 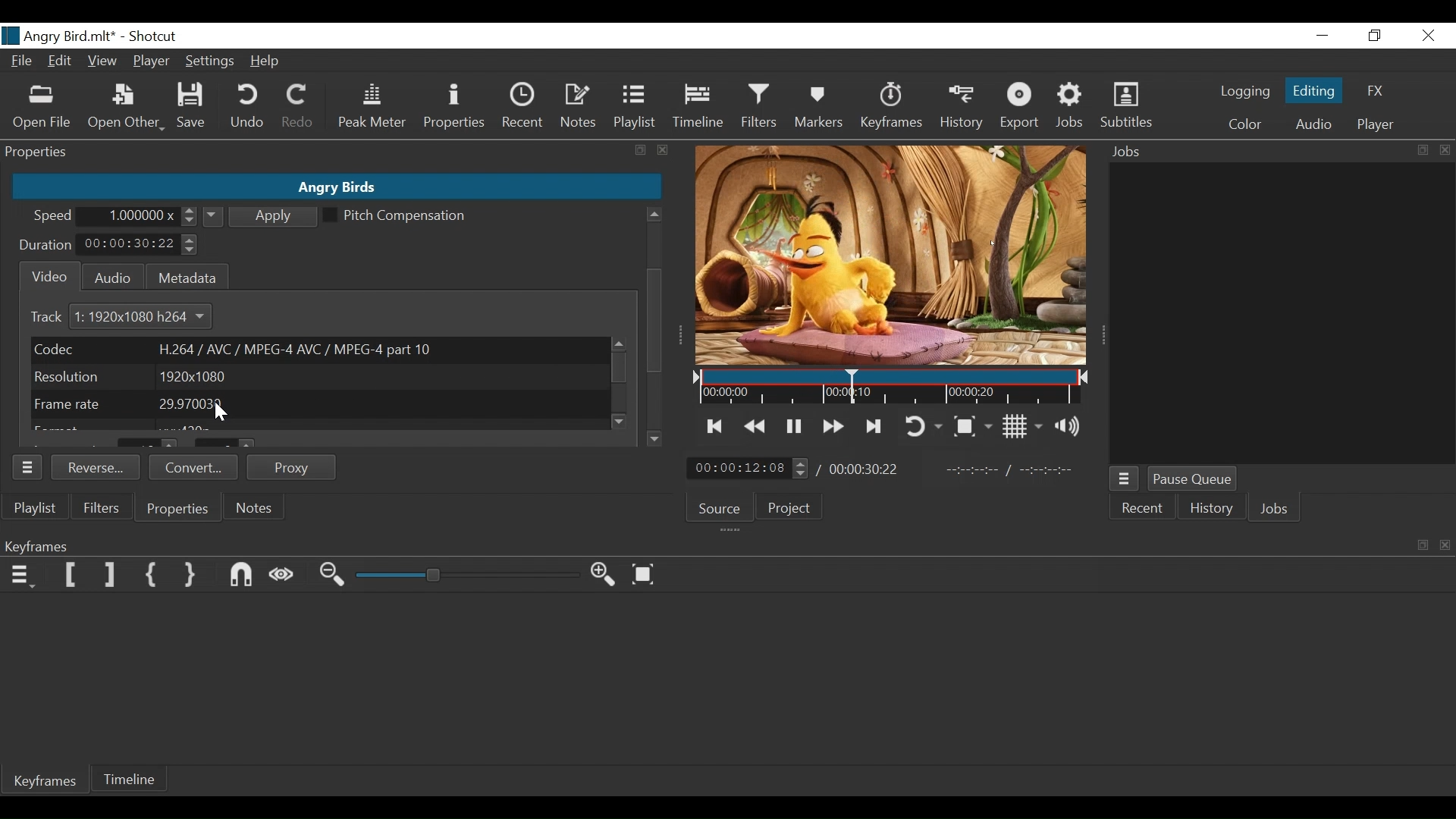 I want to click on Set Filter First, so click(x=71, y=574).